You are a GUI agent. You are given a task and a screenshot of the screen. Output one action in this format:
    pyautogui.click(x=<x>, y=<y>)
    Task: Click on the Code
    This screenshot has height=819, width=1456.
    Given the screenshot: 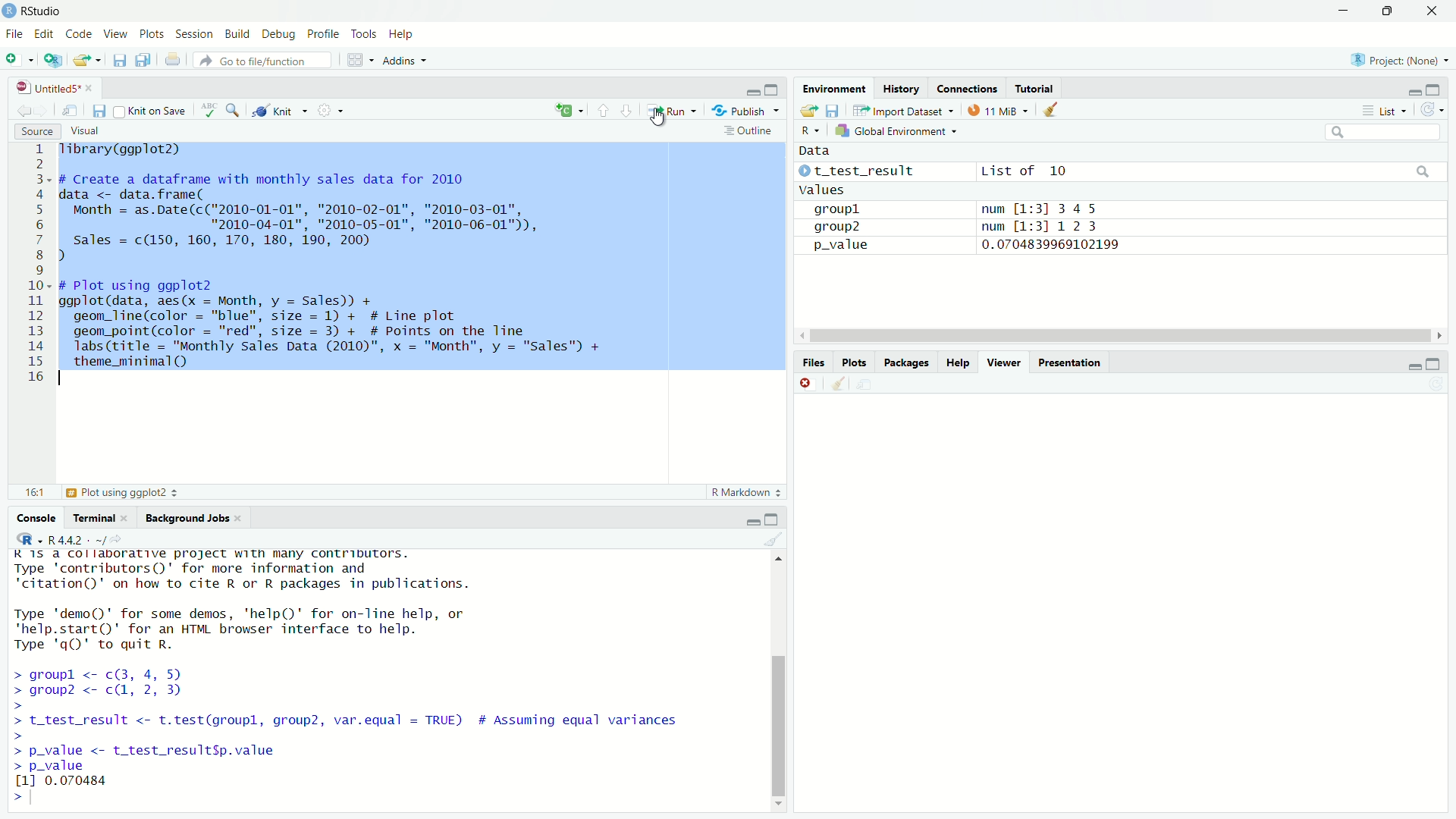 What is the action you would take?
    pyautogui.click(x=80, y=32)
    